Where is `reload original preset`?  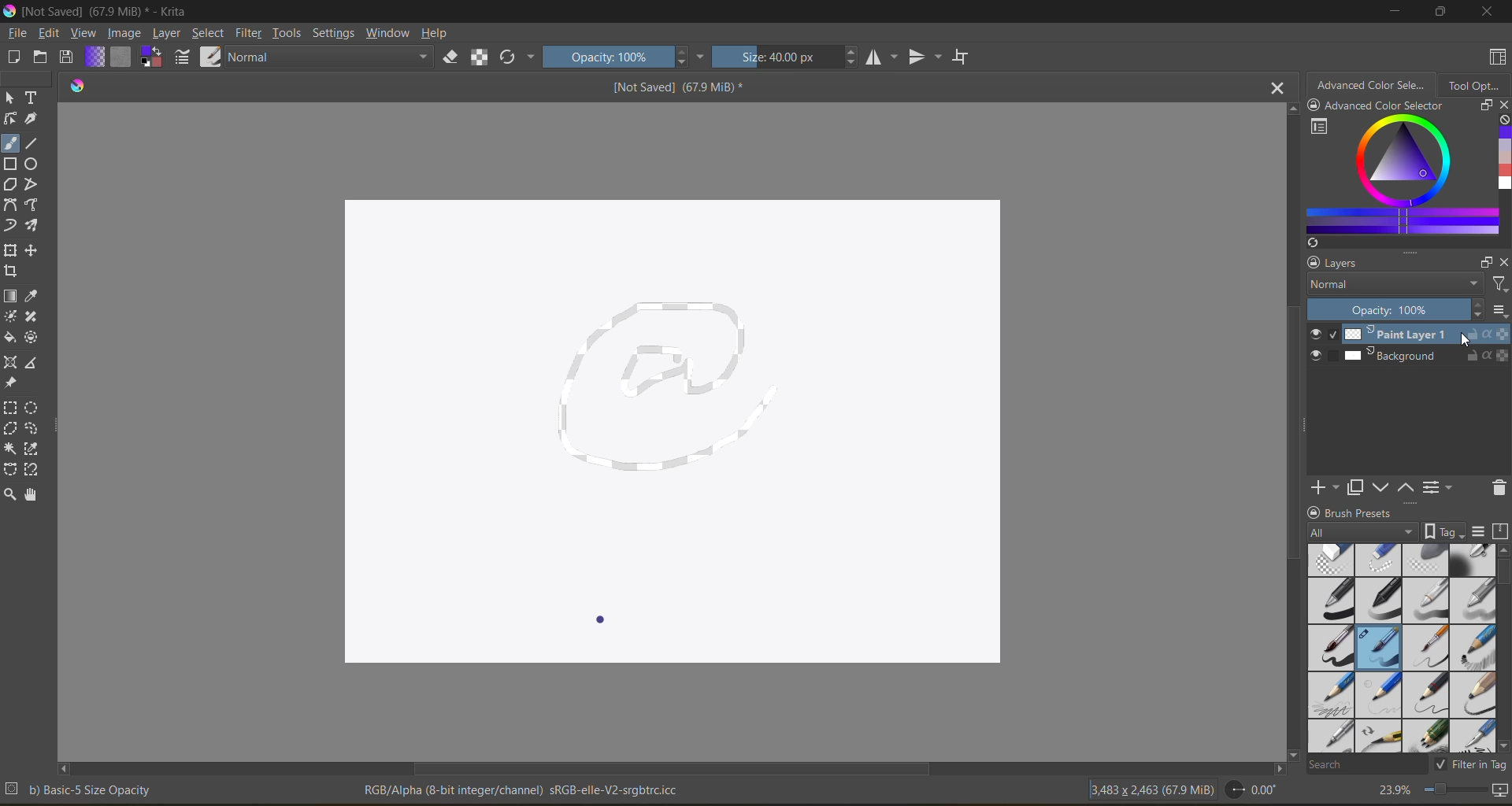 reload original preset is located at coordinates (510, 57).